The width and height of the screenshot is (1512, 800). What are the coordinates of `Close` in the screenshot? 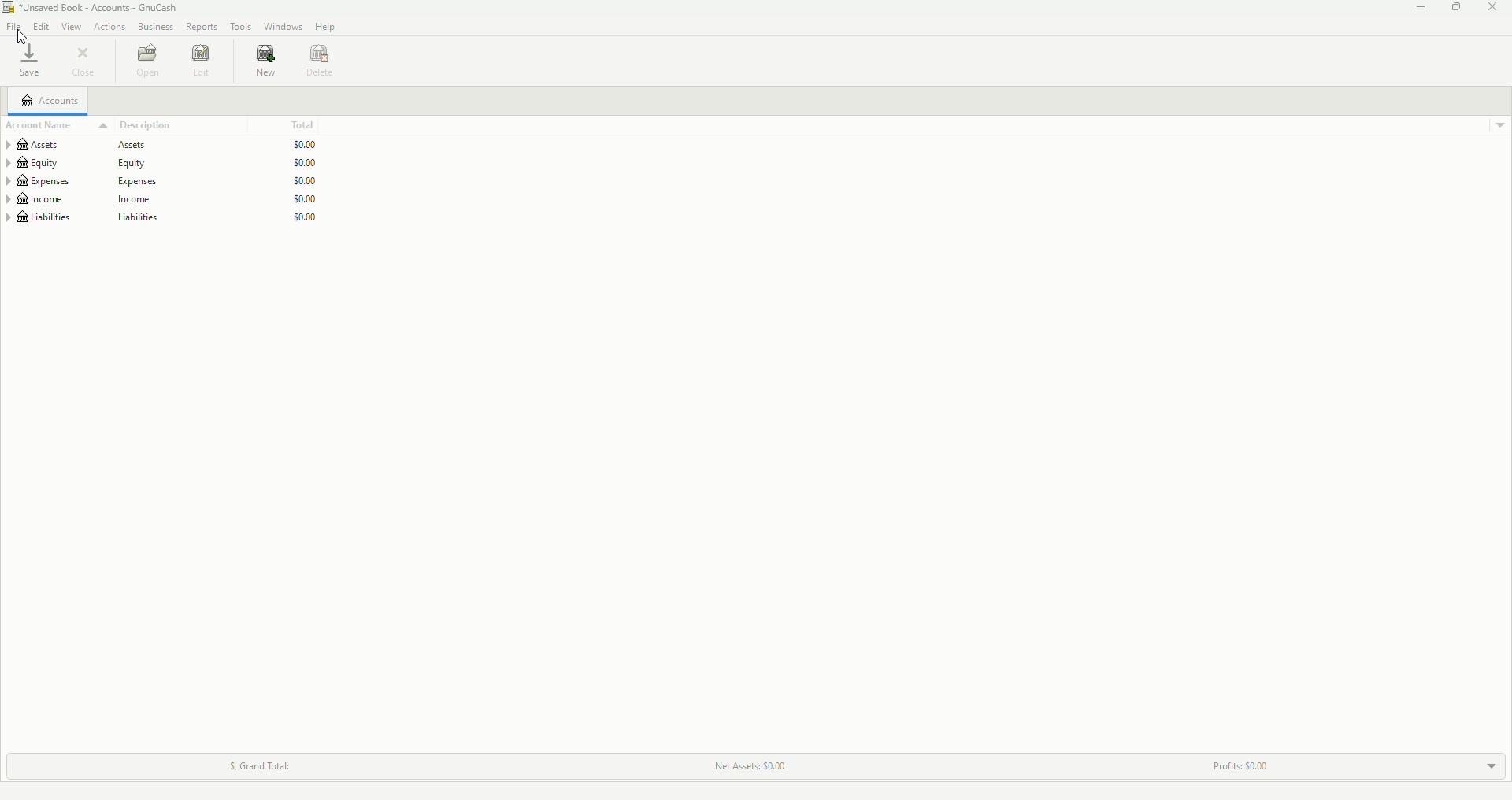 It's located at (1495, 8).